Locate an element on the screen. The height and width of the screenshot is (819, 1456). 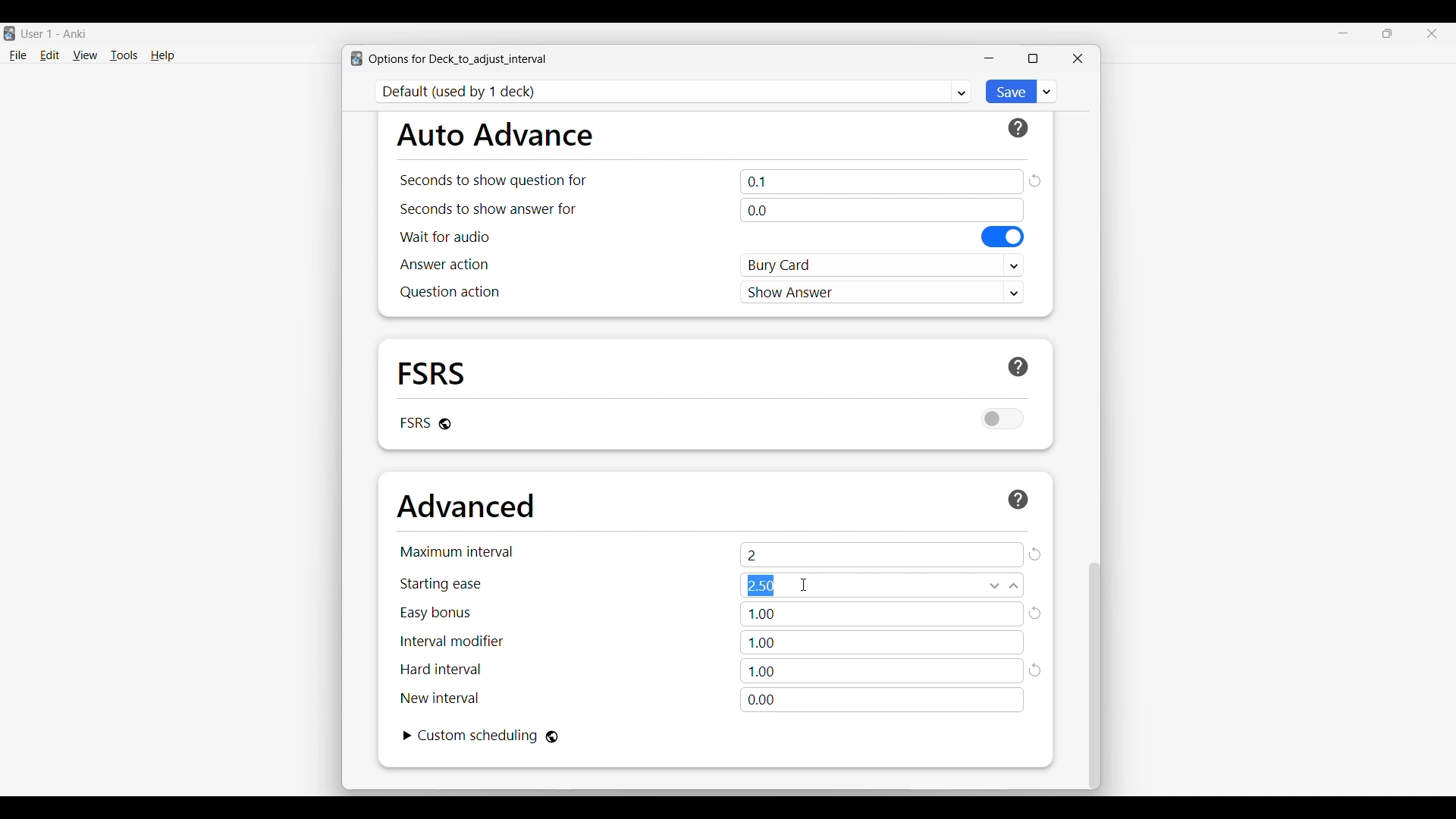
Indicates starting ease is located at coordinates (442, 584).